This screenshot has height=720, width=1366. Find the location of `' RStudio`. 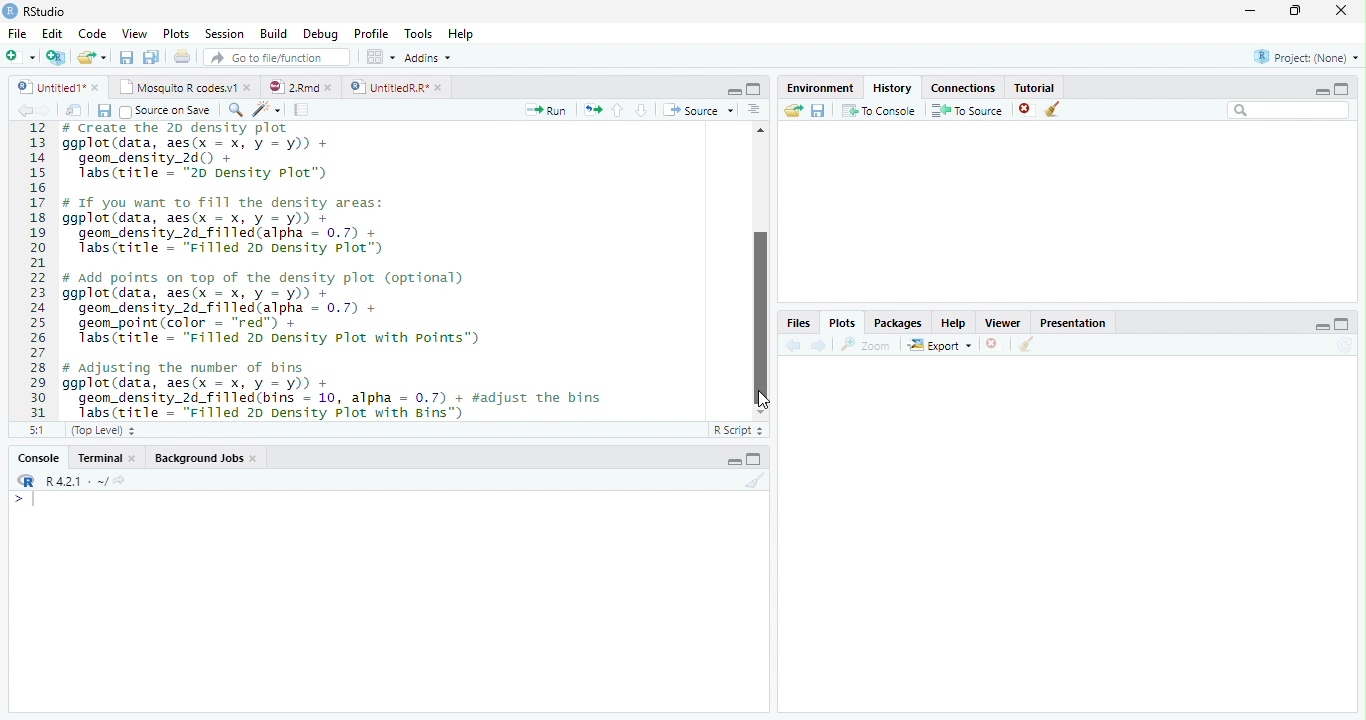

' RStudio is located at coordinates (34, 12).